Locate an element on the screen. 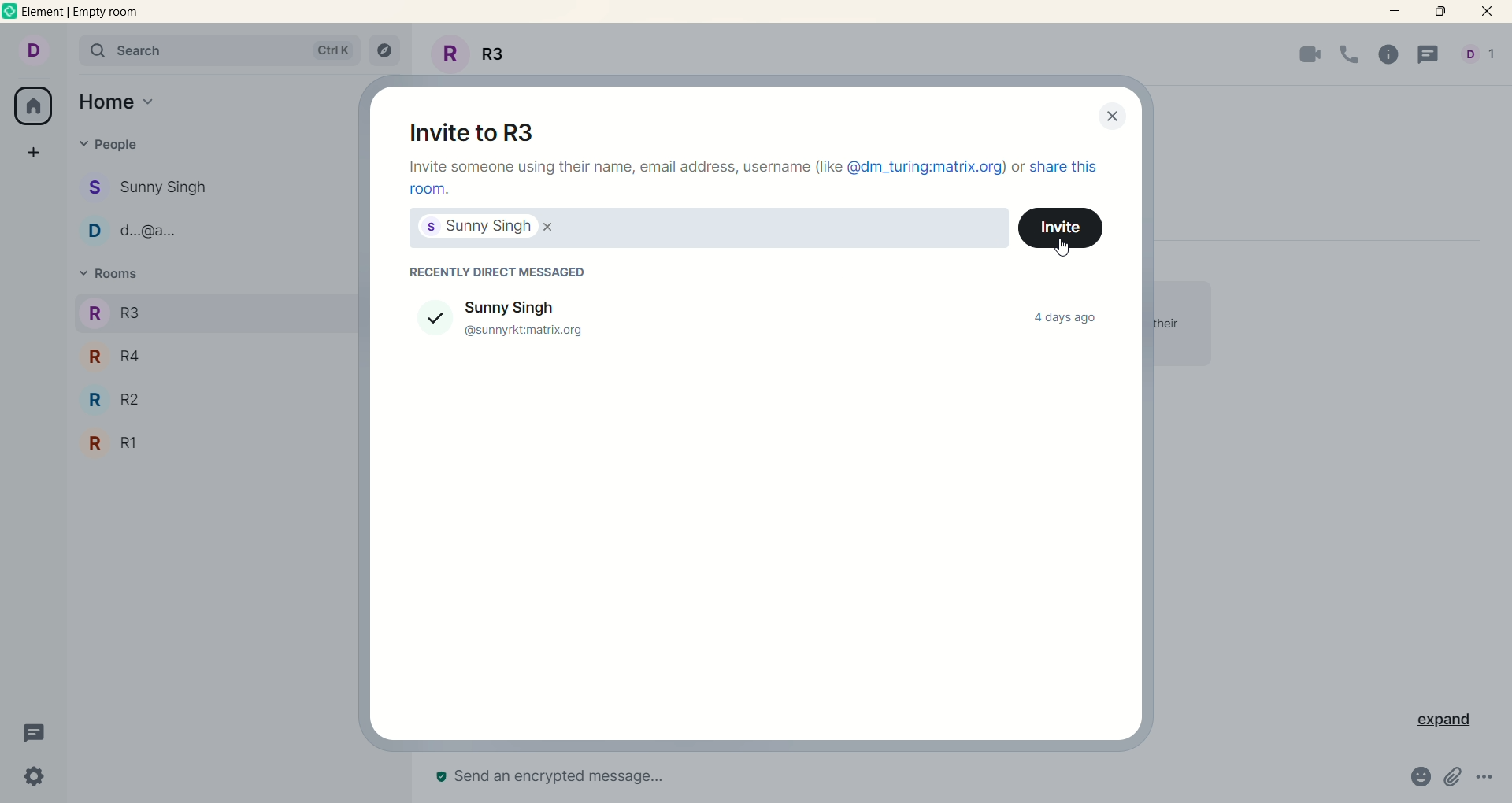 The image size is (1512, 803). search is located at coordinates (216, 50).